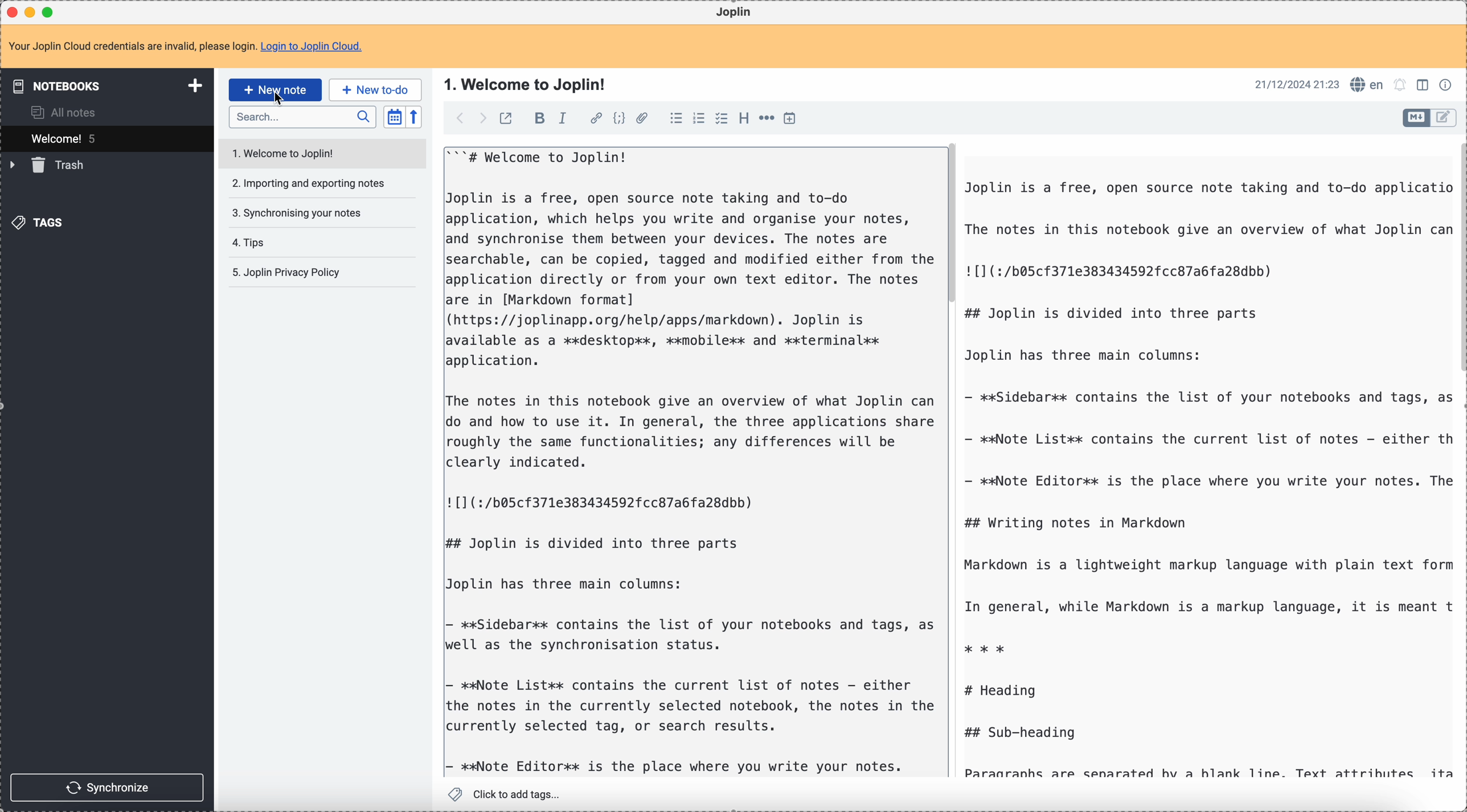 The image size is (1467, 812). Describe the element at coordinates (51, 11) in the screenshot. I see `maximize Joplin` at that location.